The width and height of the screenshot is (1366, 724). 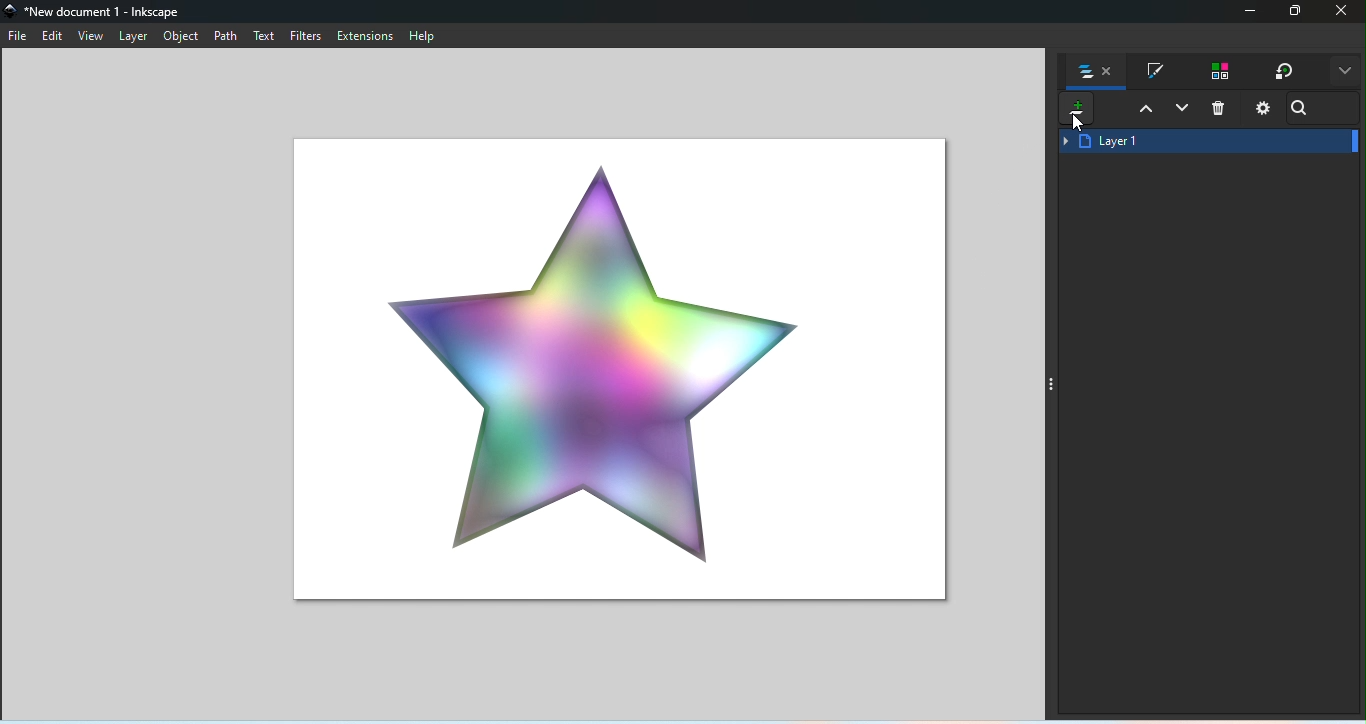 What do you see at coordinates (56, 37) in the screenshot?
I see `Edit` at bounding box center [56, 37].